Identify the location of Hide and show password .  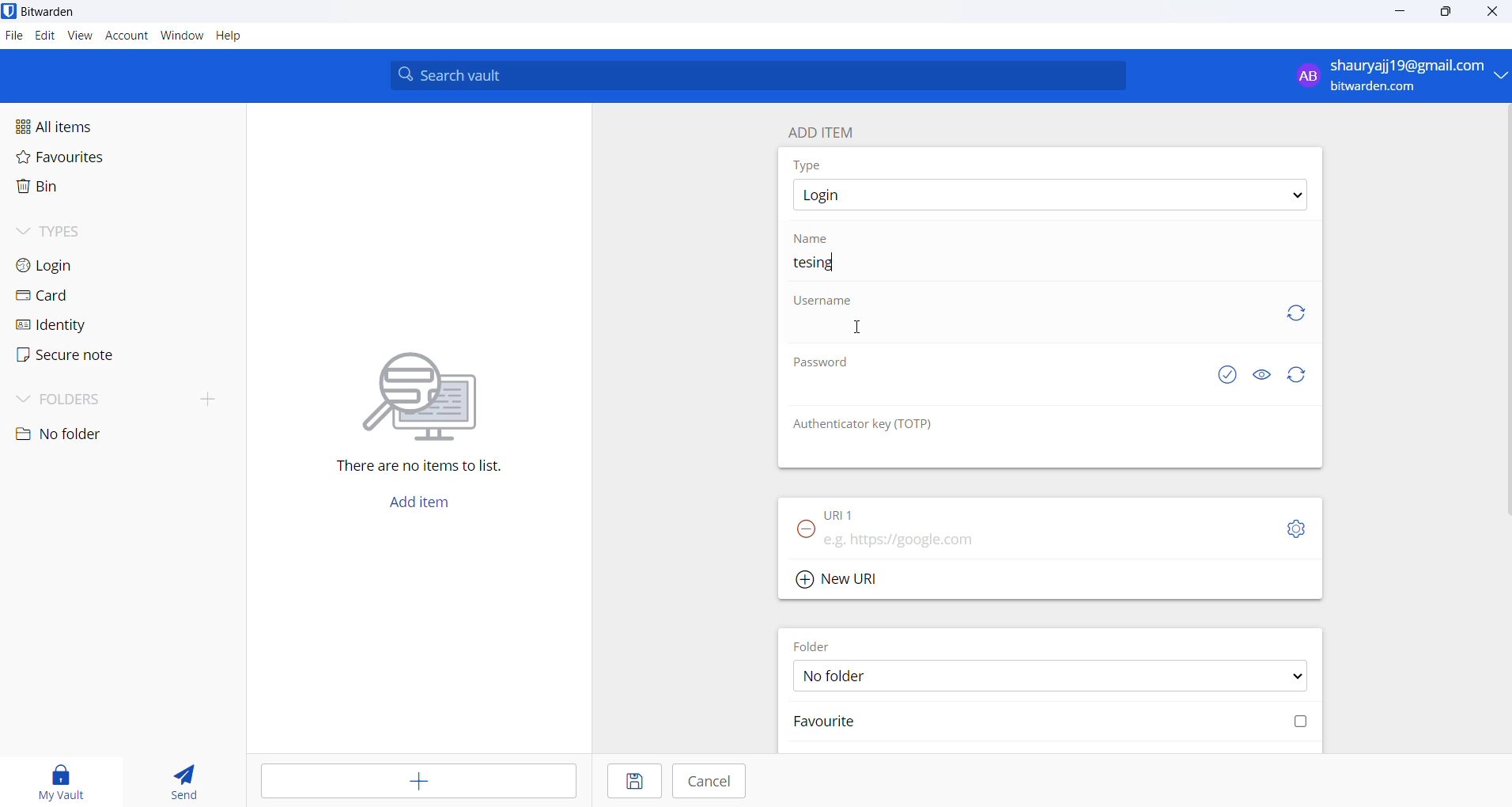
(1261, 375).